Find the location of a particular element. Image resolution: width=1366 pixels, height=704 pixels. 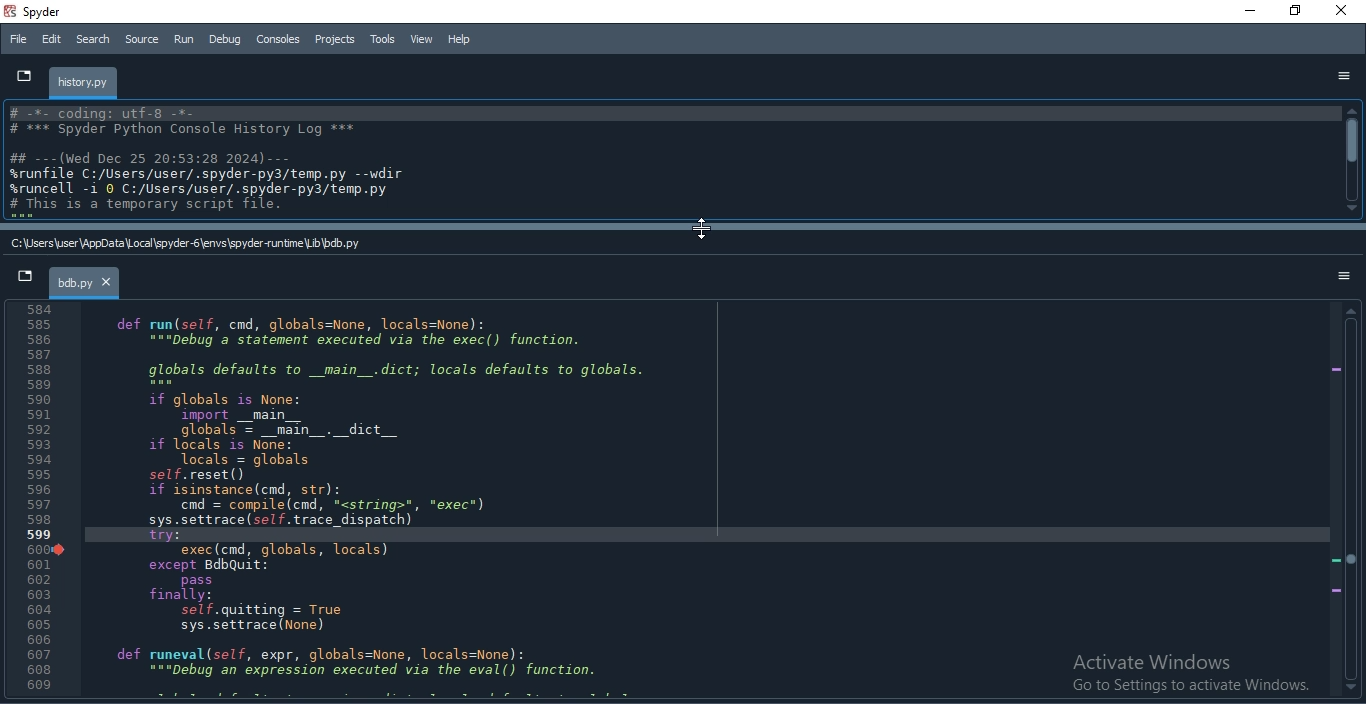

Run is located at coordinates (183, 39).